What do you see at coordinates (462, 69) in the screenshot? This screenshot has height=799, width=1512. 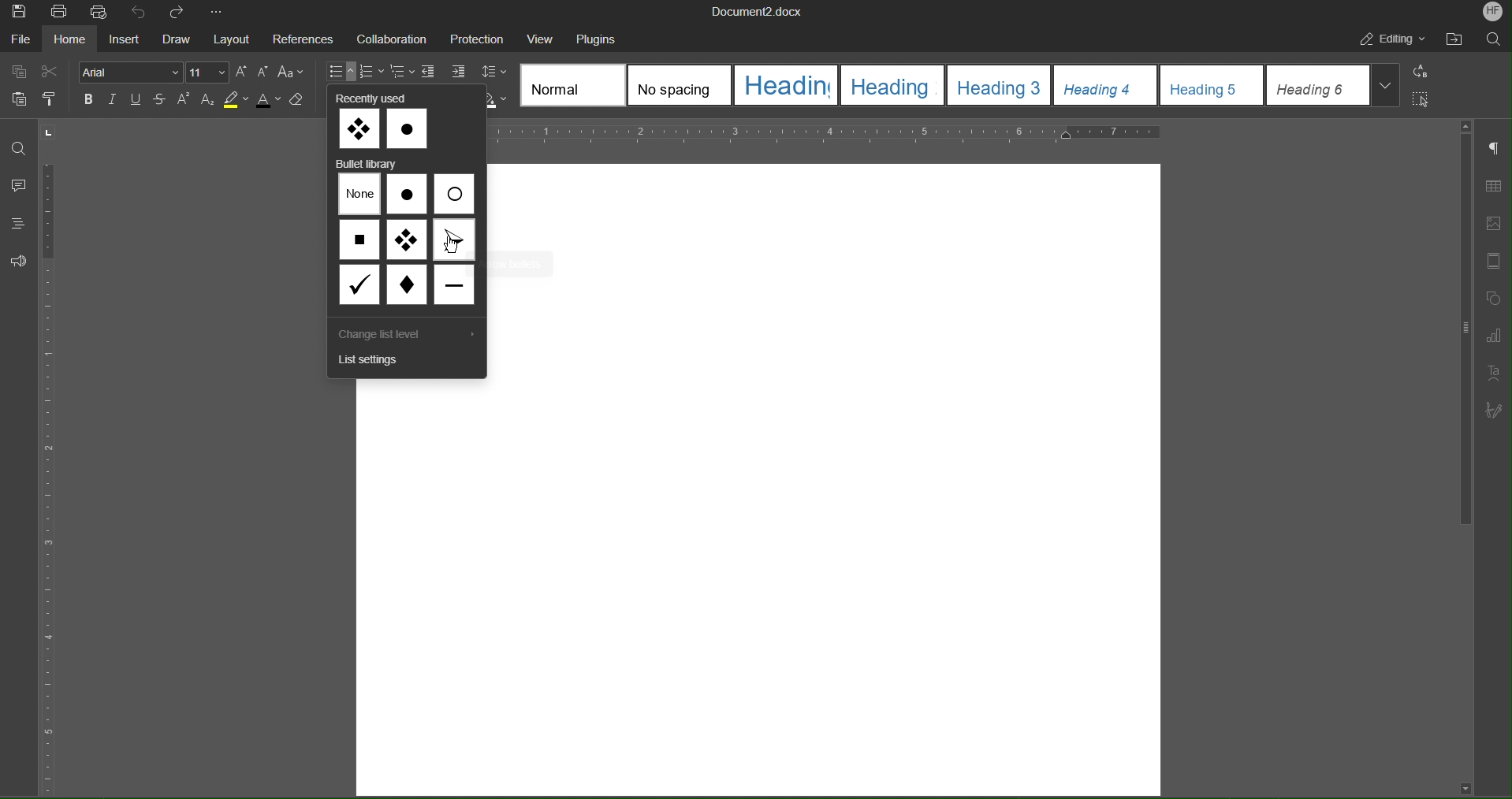 I see `Increase Indent` at bounding box center [462, 69].